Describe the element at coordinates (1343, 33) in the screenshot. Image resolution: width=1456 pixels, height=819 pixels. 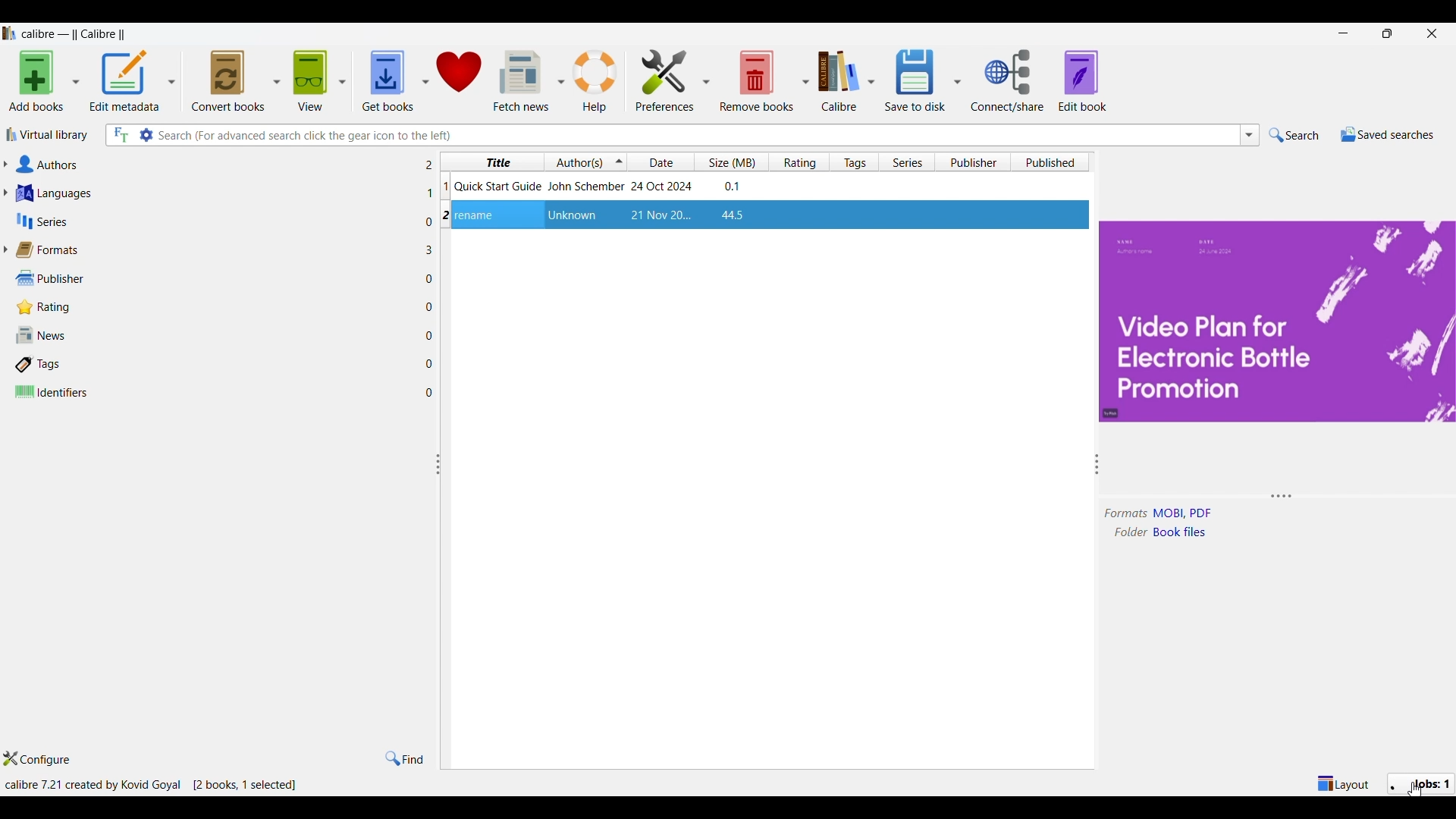
I see `Minimize` at that location.